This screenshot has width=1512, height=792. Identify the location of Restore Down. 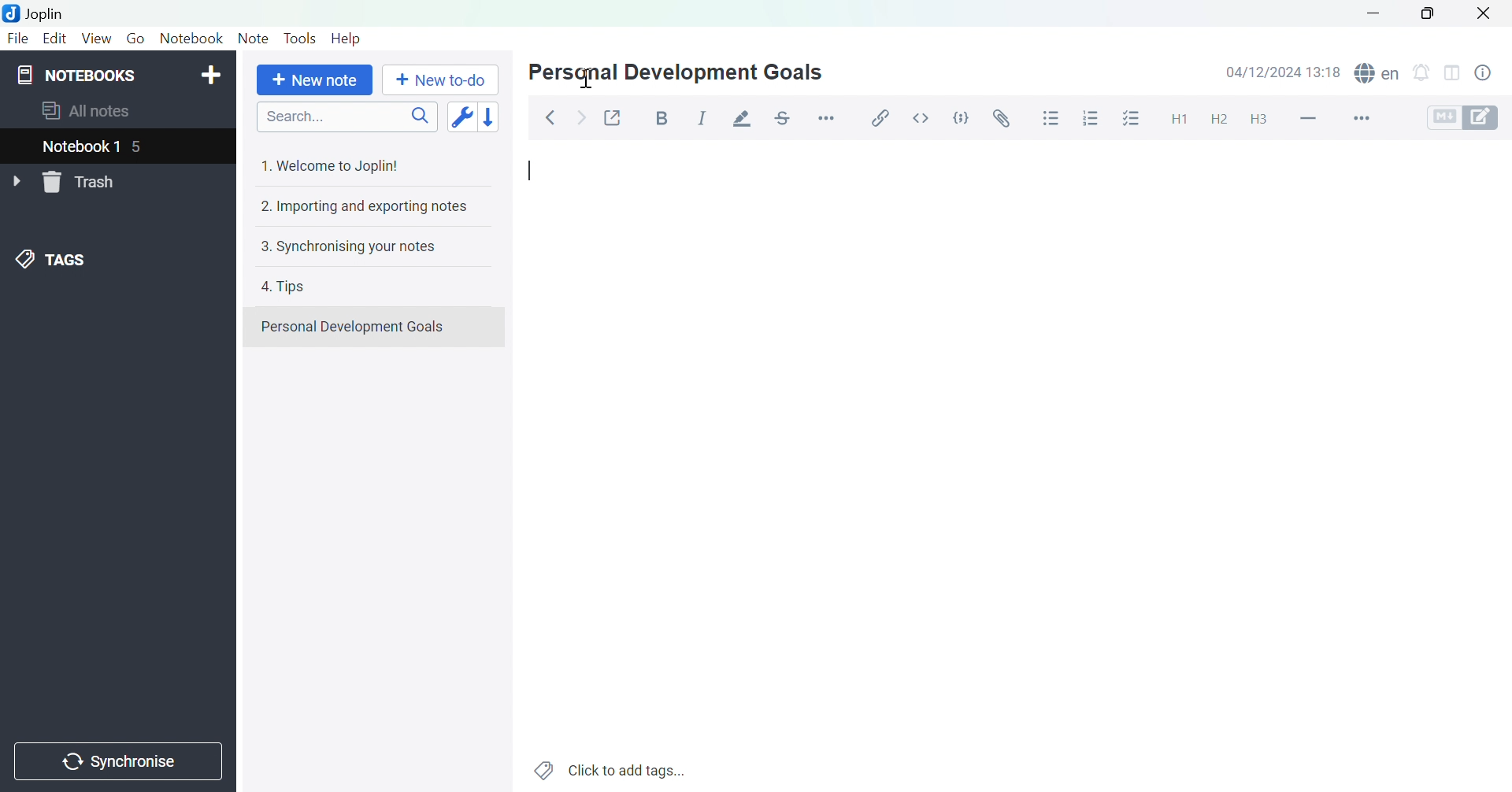
(1429, 17).